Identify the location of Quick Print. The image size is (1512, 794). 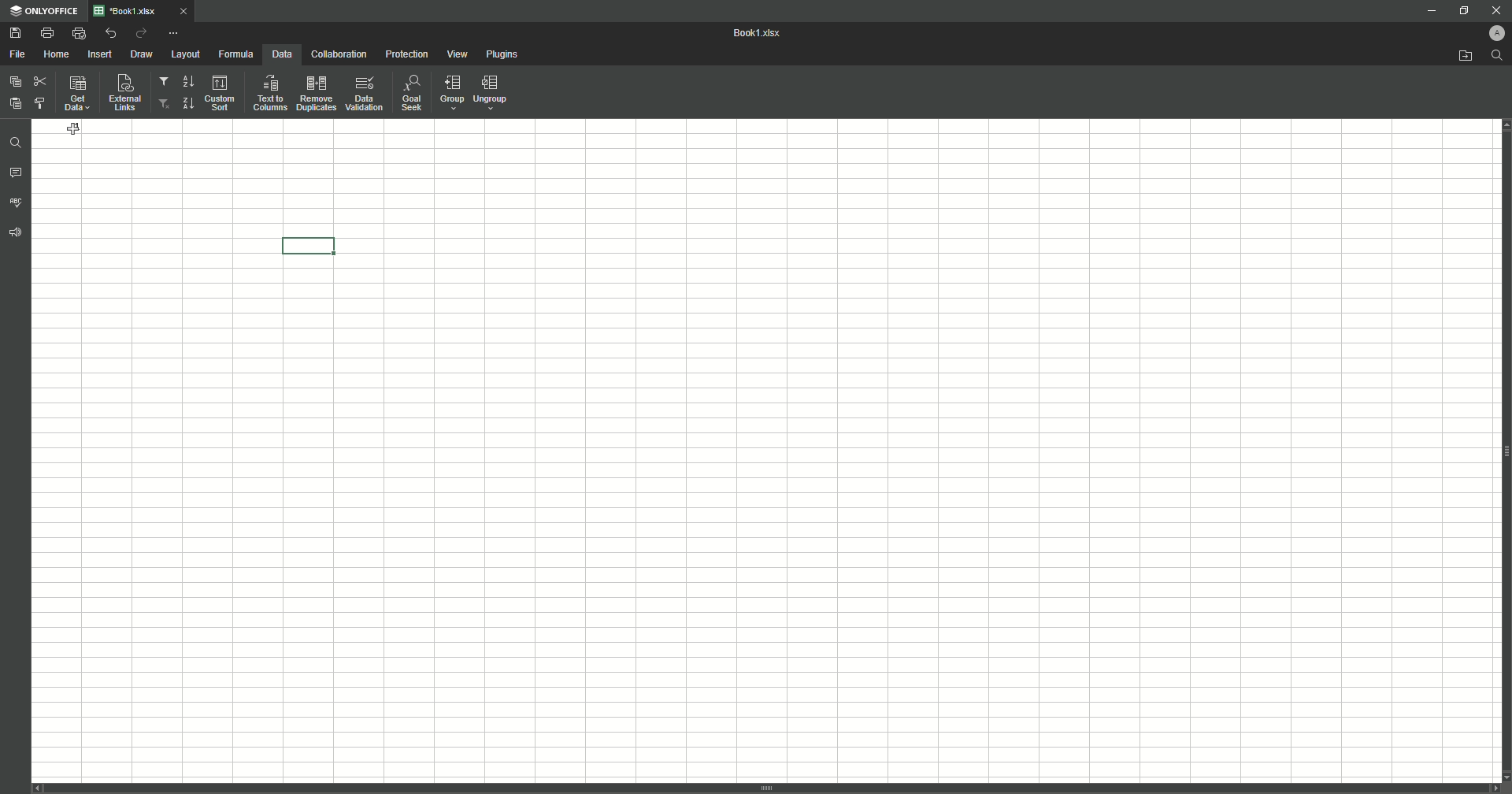
(78, 32).